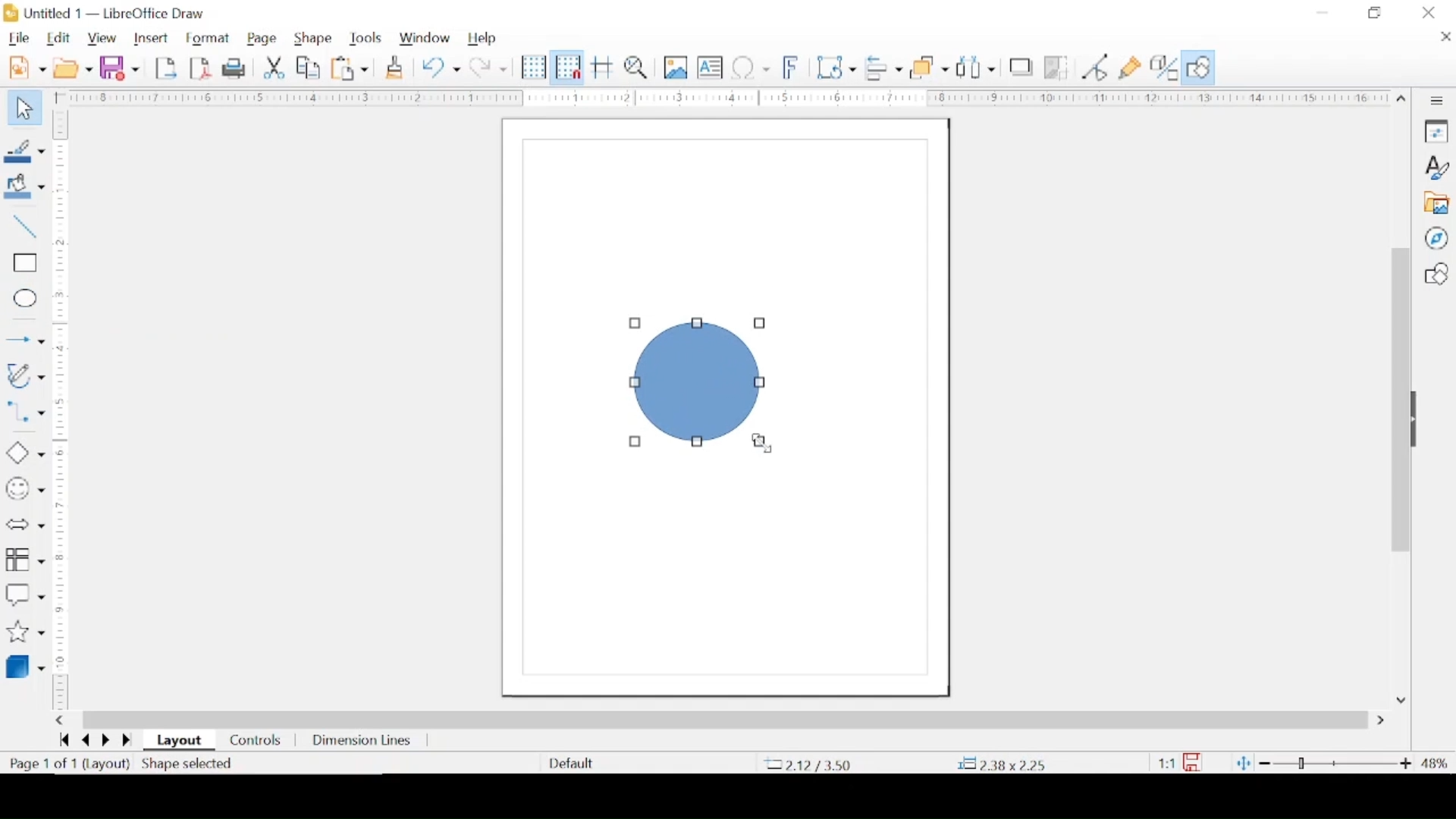 The height and width of the screenshot is (819, 1456). Describe the element at coordinates (366, 39) in the screenshot. I see `tools` at that location.